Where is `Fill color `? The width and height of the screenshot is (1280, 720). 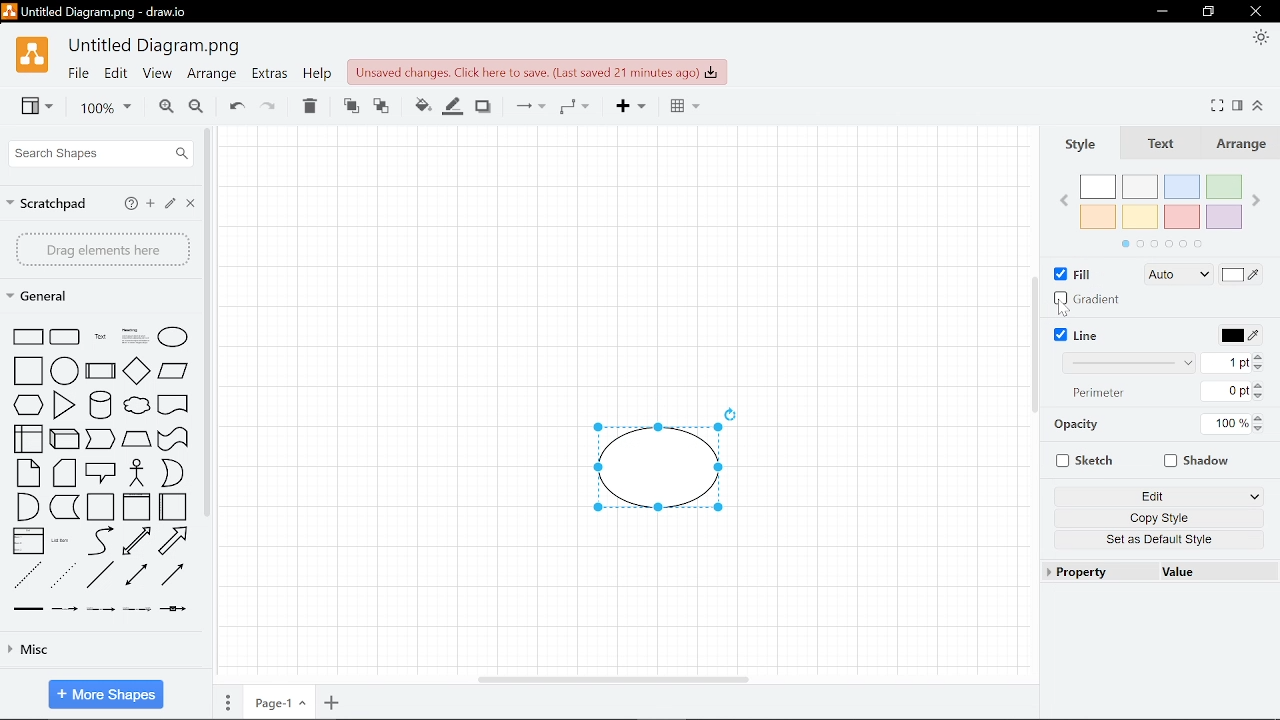
Fill color  is located at coordinates (422, 105).